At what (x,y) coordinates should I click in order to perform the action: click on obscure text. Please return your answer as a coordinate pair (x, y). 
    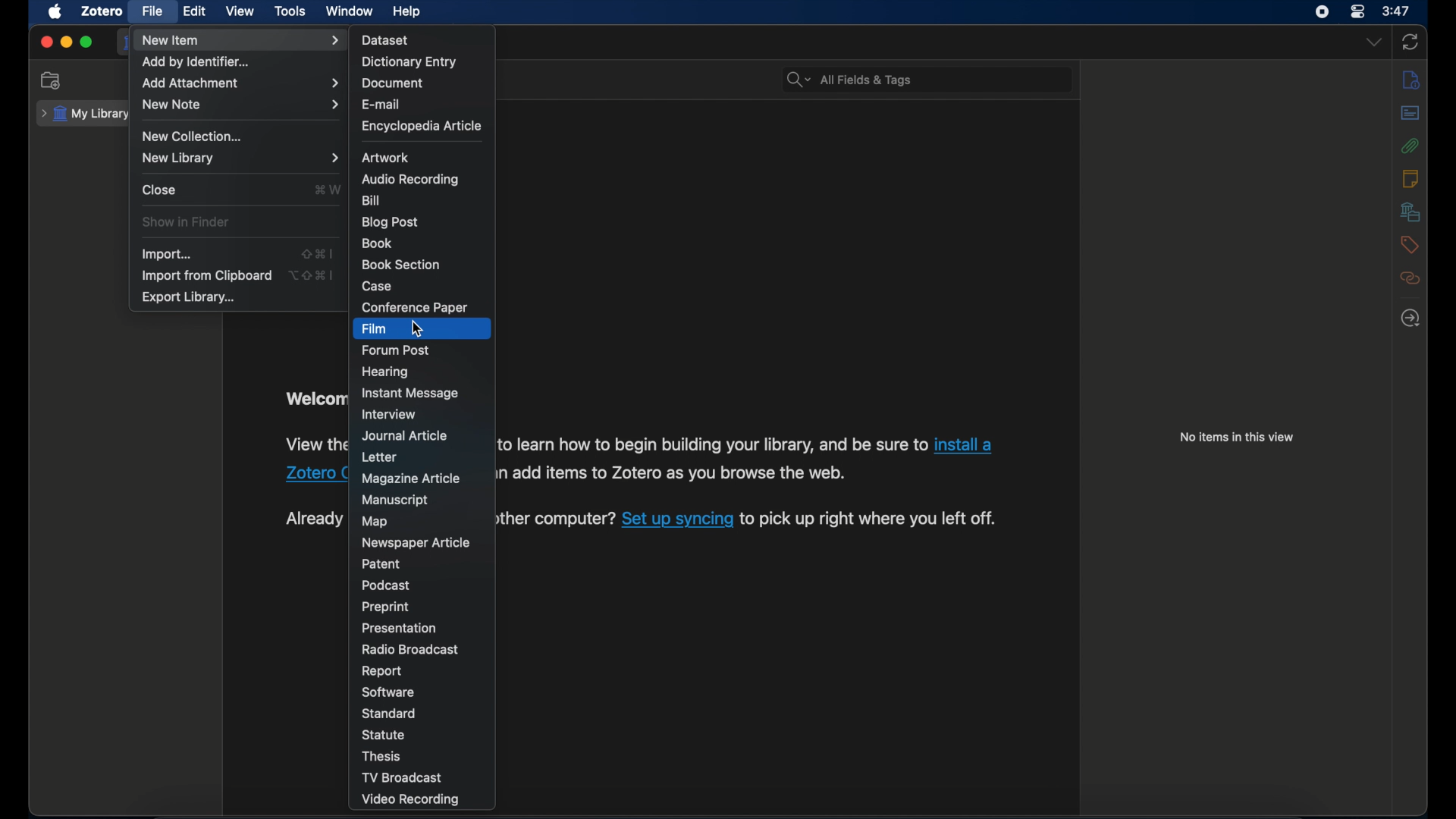
    Looking at the image, I should click on (314, 445).